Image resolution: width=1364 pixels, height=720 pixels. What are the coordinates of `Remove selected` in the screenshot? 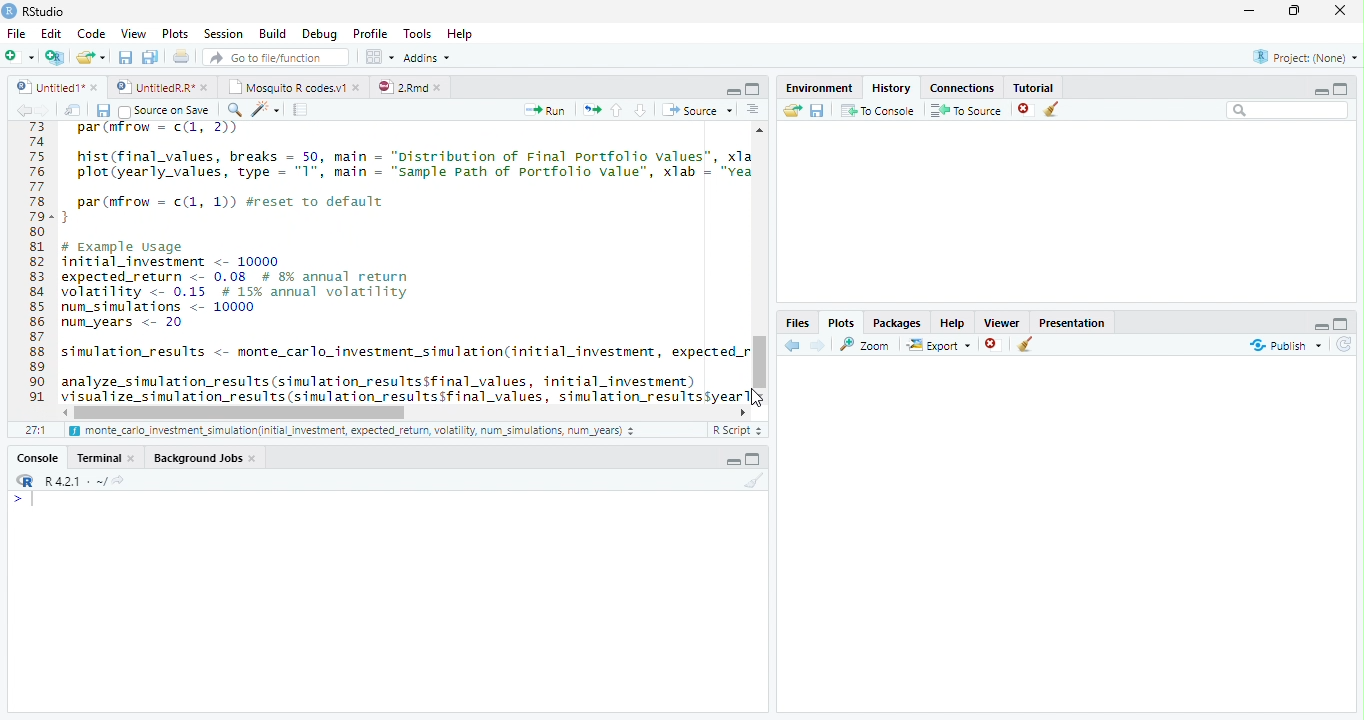 It's located at (995, 345).